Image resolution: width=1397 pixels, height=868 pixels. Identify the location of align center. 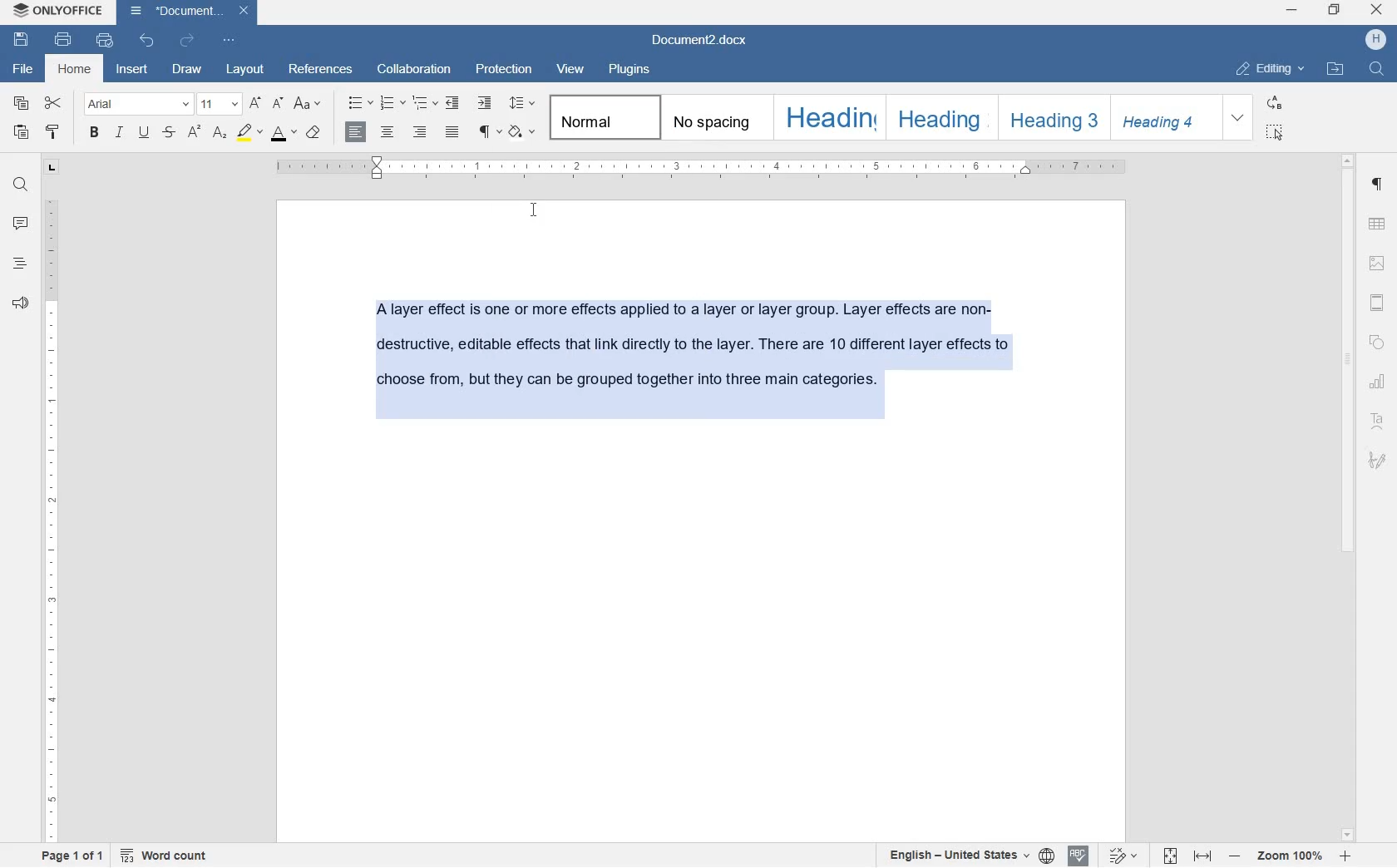
(386, 132).